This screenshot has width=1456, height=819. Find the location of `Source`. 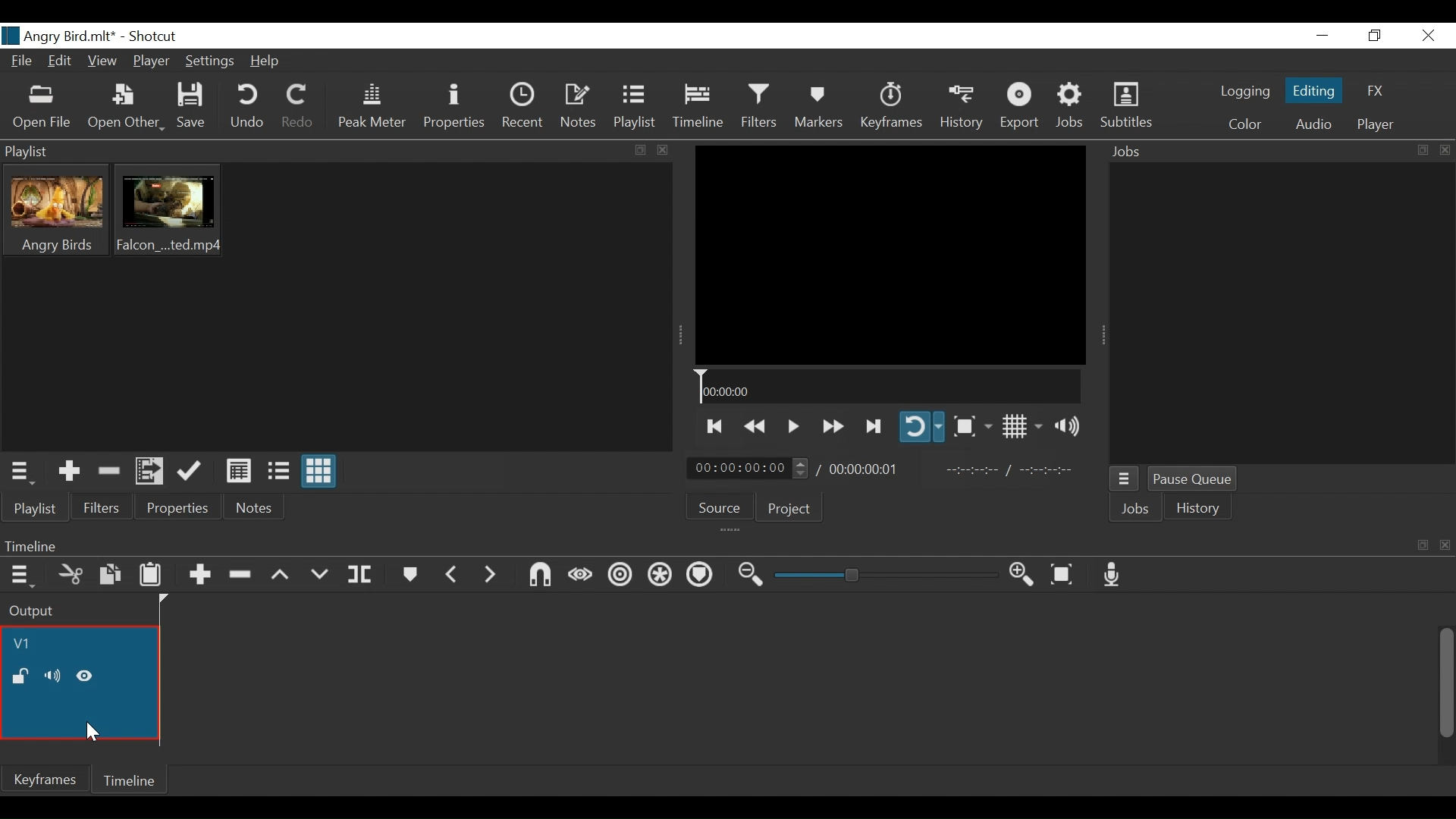

Source is located at coordinates (718, 504).